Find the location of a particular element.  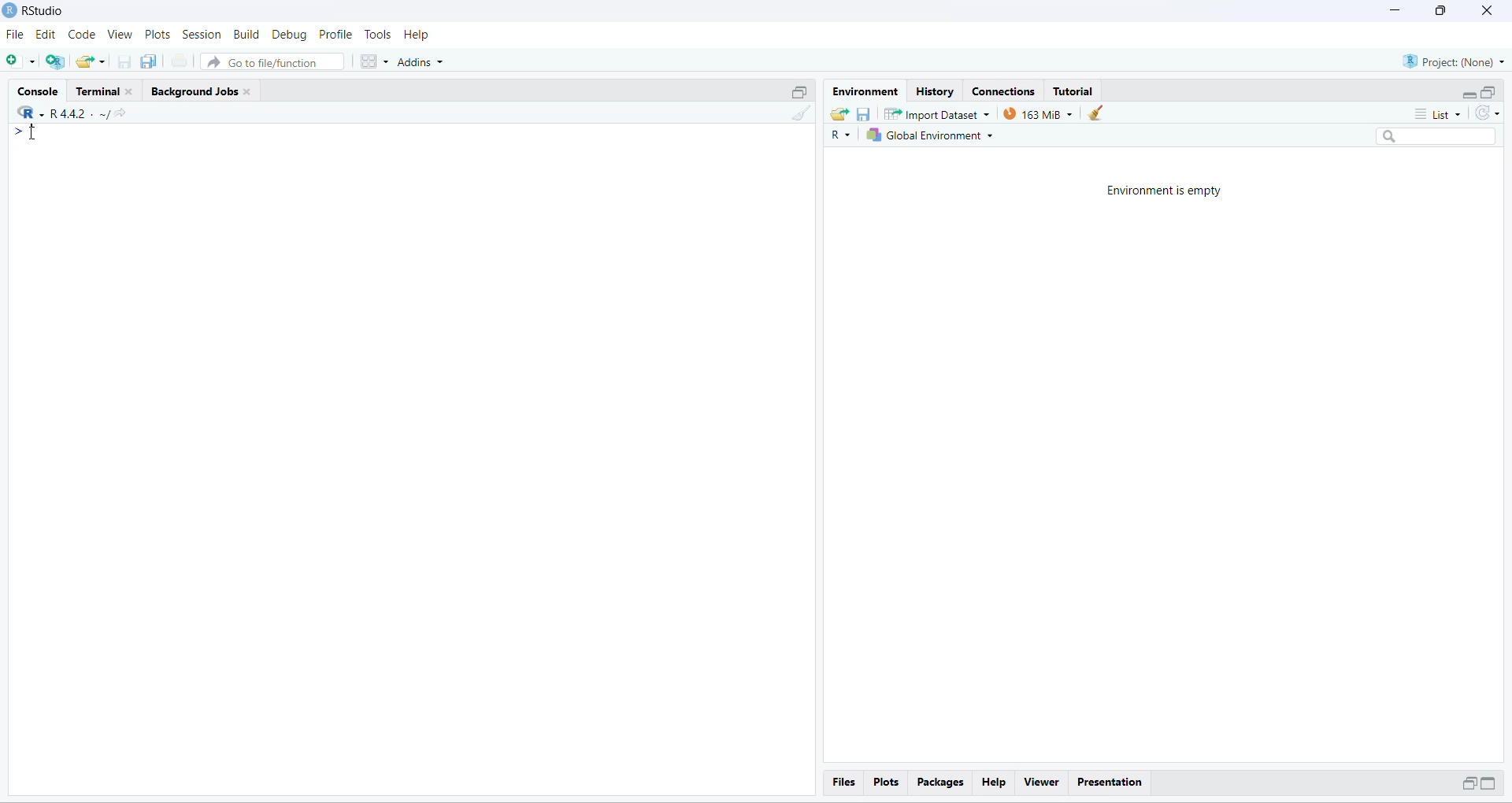

History is located at coordinates (935, 90).